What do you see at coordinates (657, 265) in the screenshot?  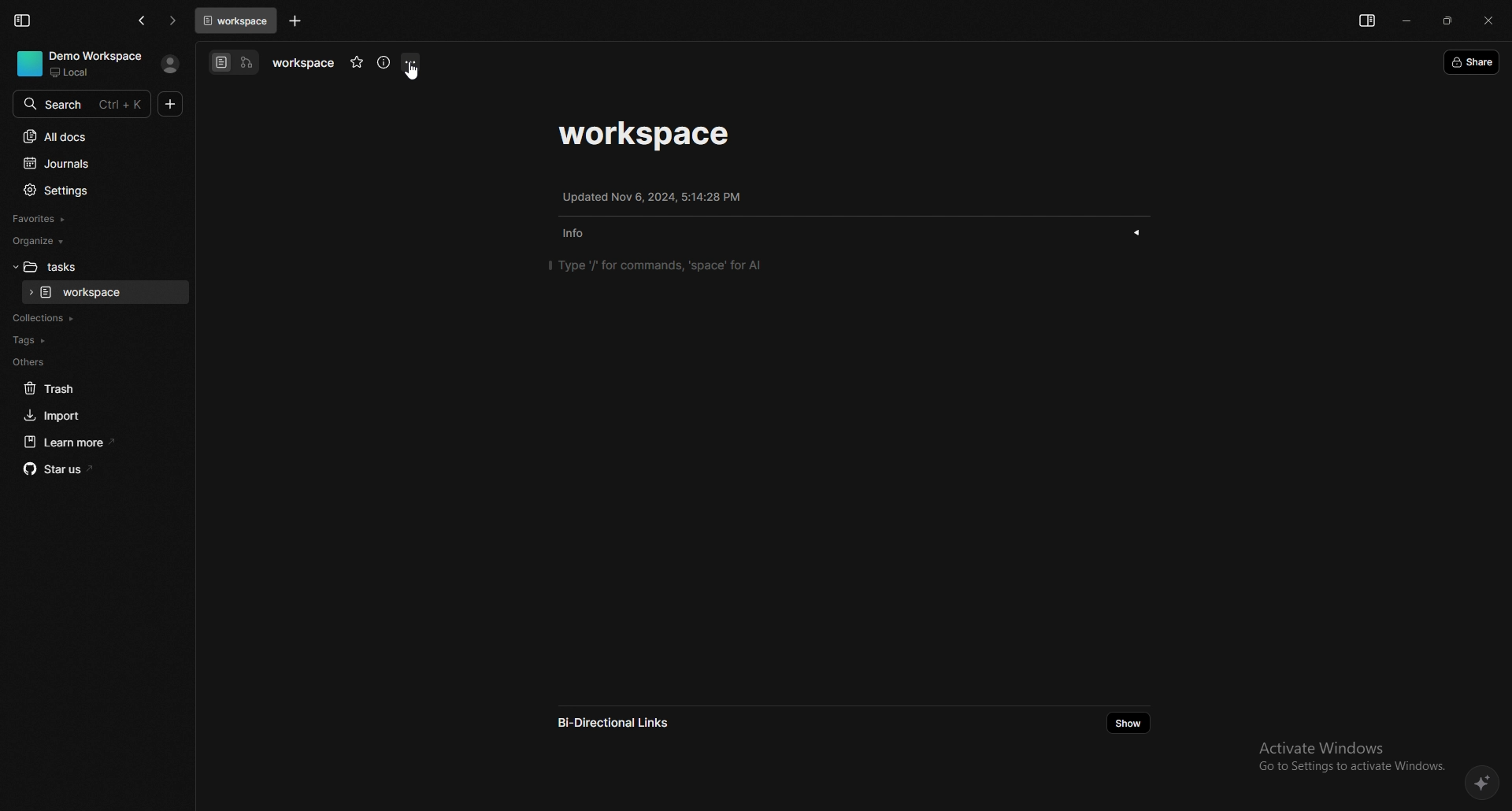 I see `type '/' for commands, 'space' for AI` at bounding box center [657, 265].